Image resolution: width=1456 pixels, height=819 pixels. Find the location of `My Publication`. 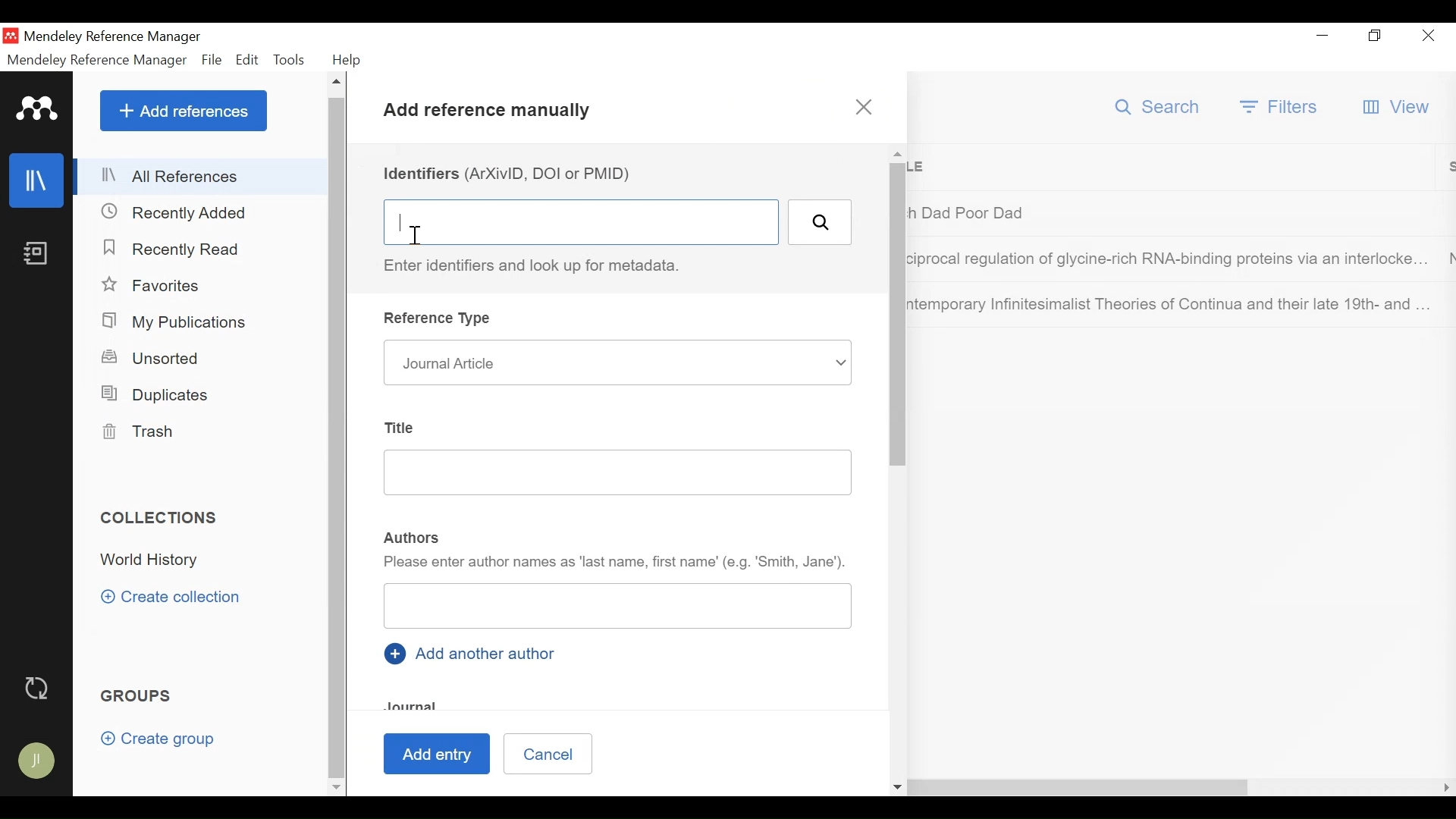

My Publication is located at coordinates (177, 322).